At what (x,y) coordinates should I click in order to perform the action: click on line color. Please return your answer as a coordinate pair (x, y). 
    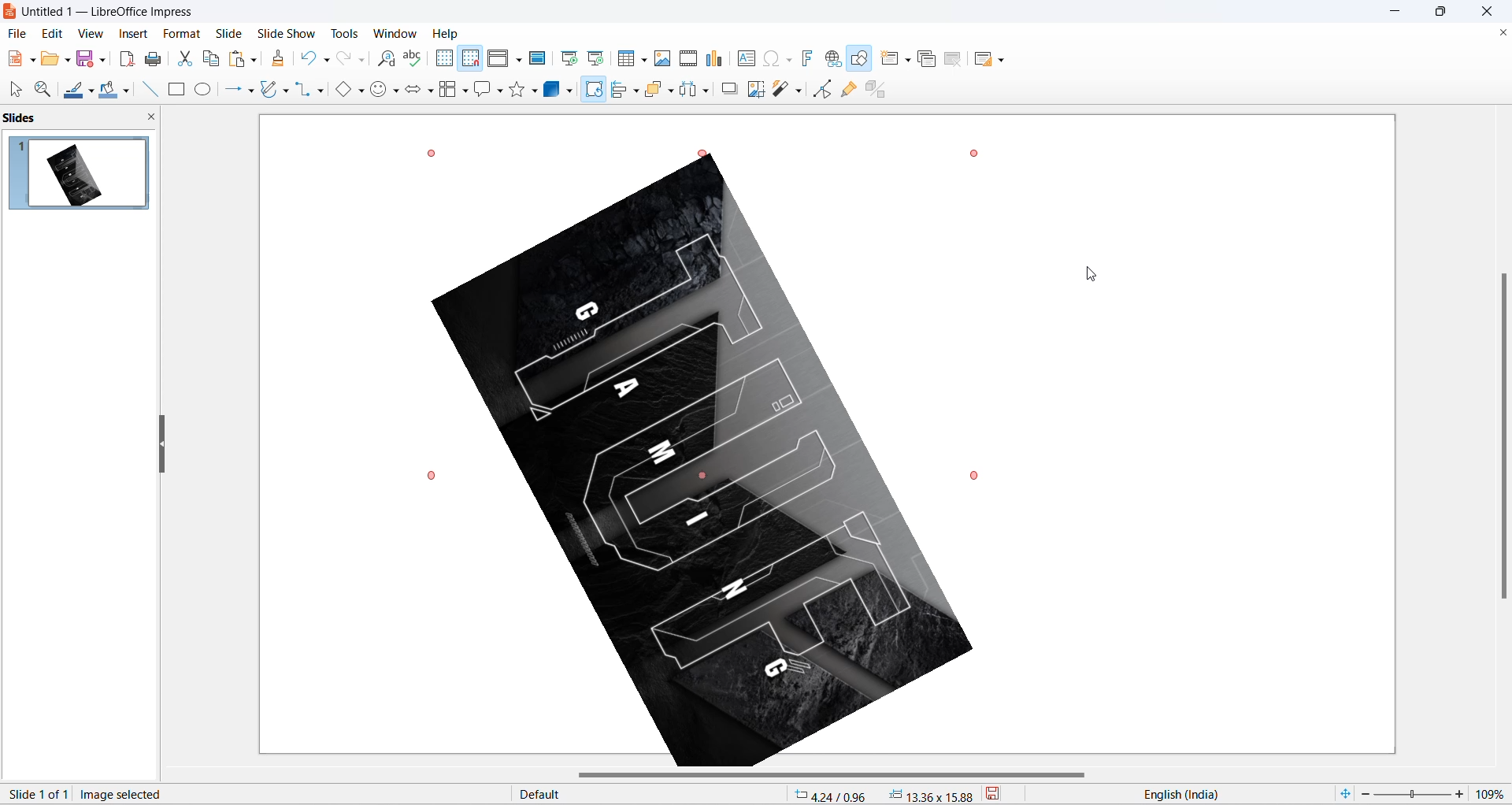
    Looking at the image, I should click on (73, 91).